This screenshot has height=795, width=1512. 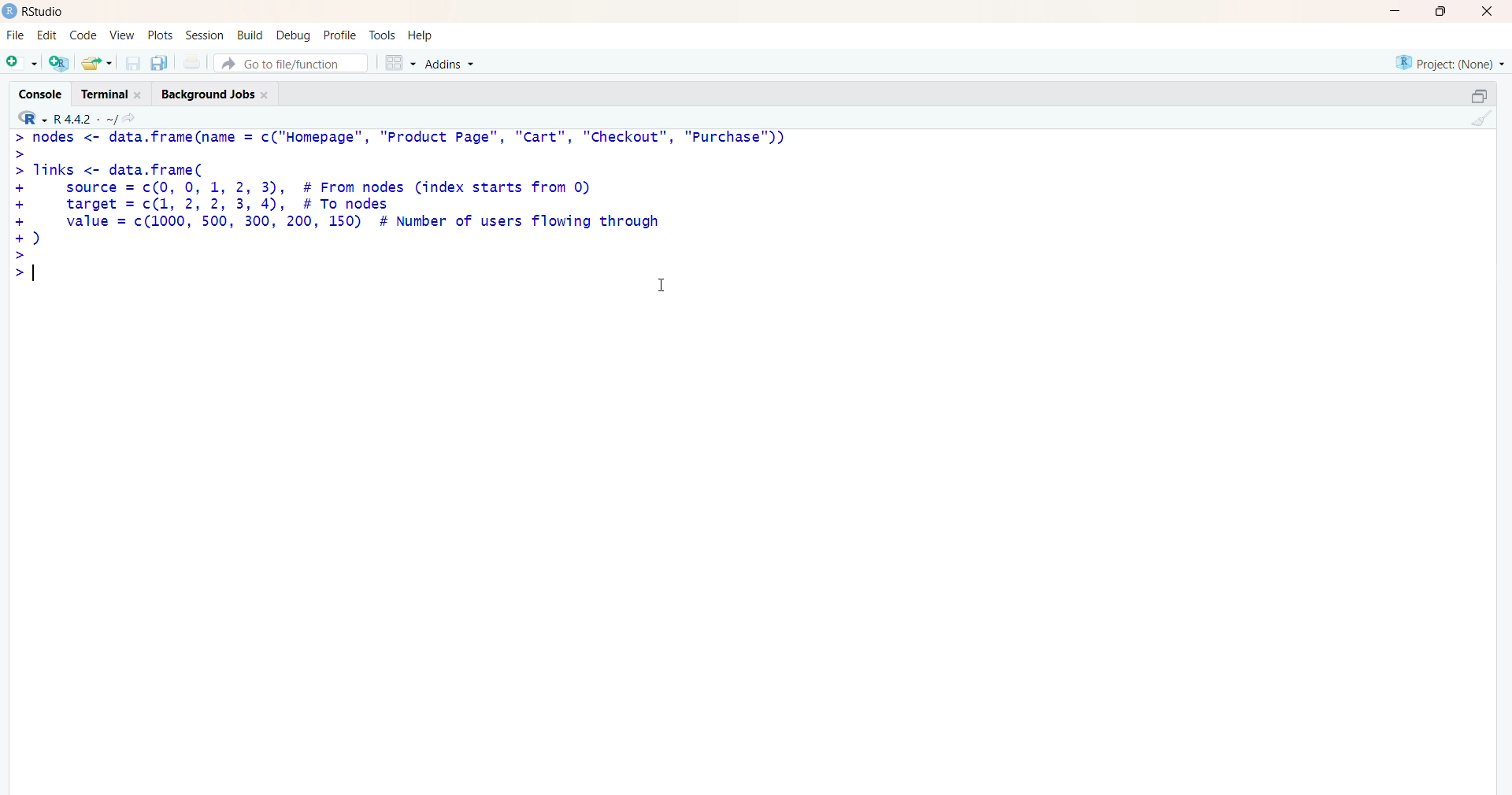 What do you see at coordinates (101, 119) in the screenshot?
I see `R-R442 - ~/` at bounding box center [101, 119].